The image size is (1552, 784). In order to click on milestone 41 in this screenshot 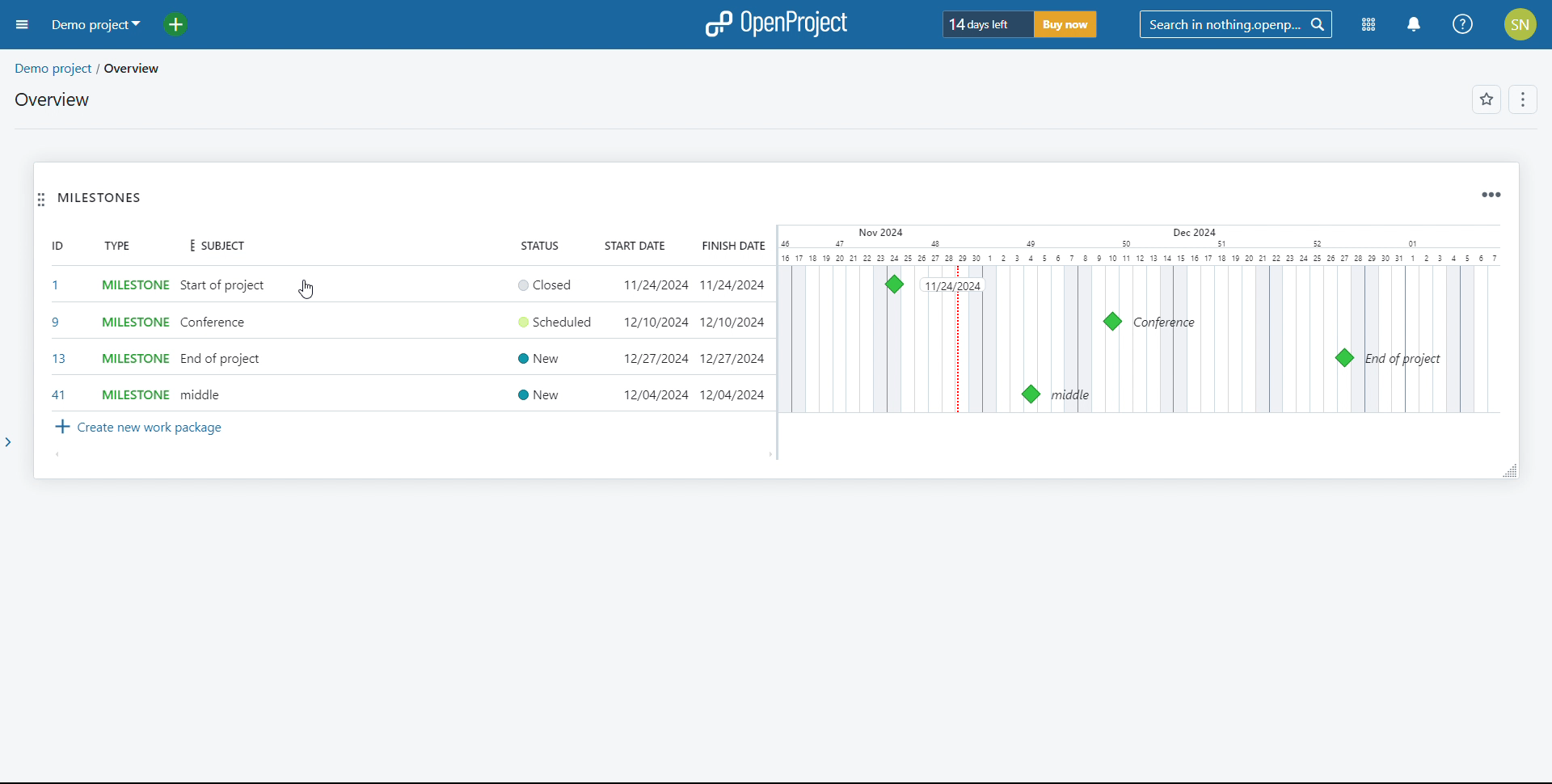, I will do `click(1031, 394)`.